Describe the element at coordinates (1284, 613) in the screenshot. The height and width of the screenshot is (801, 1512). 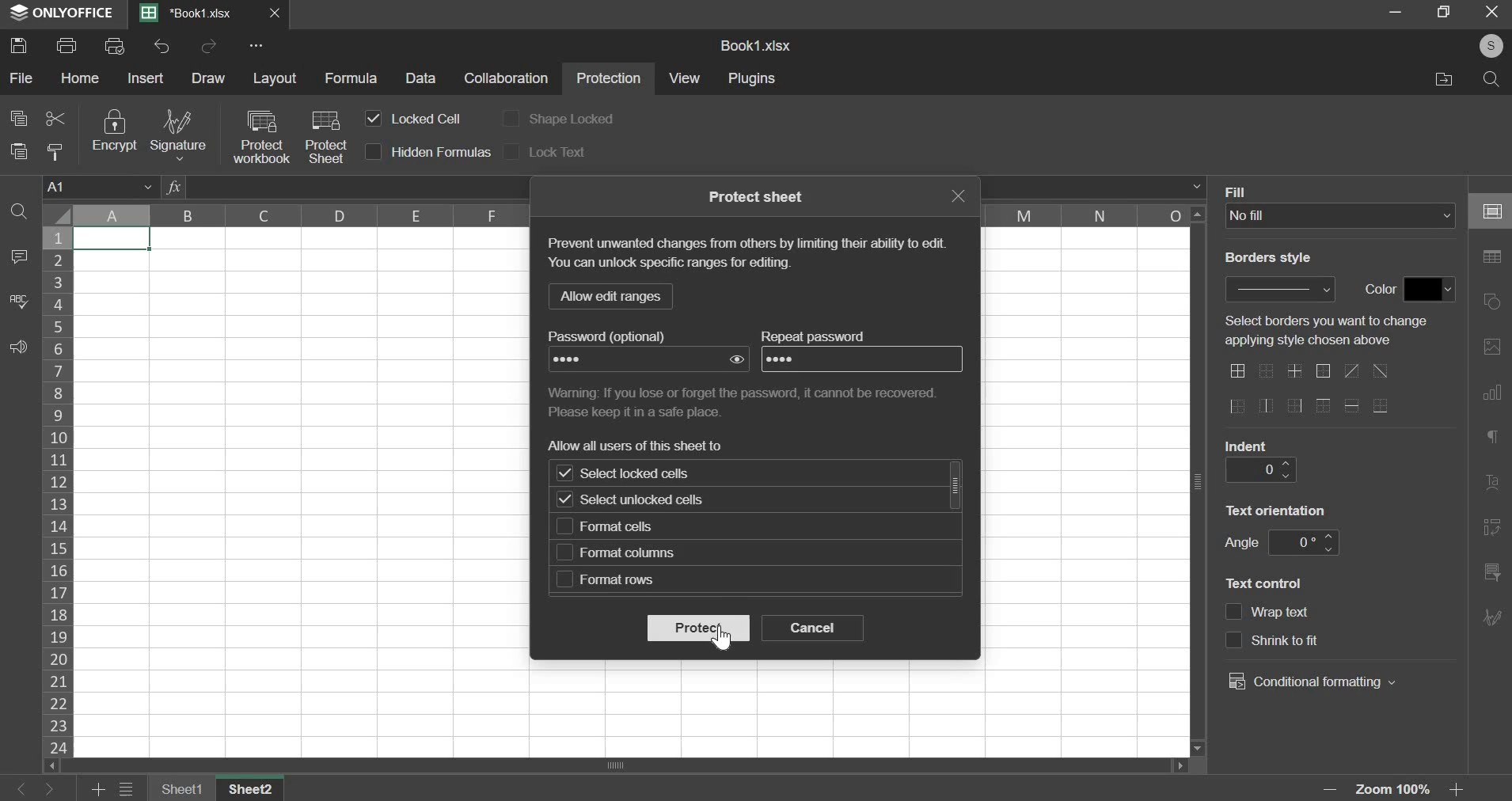
I see `text control` at that location.